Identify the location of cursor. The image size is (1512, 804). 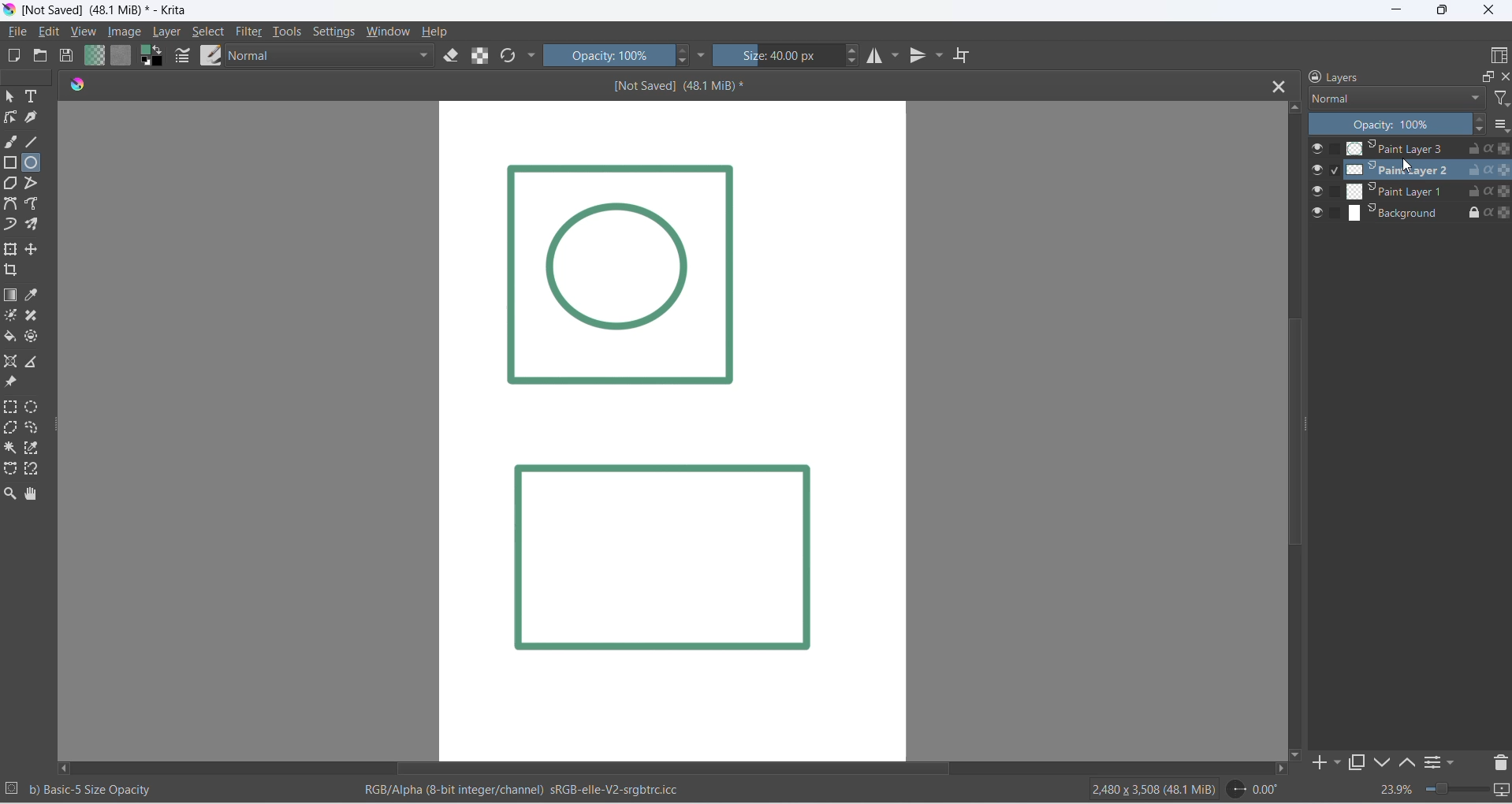
(1406, 169).